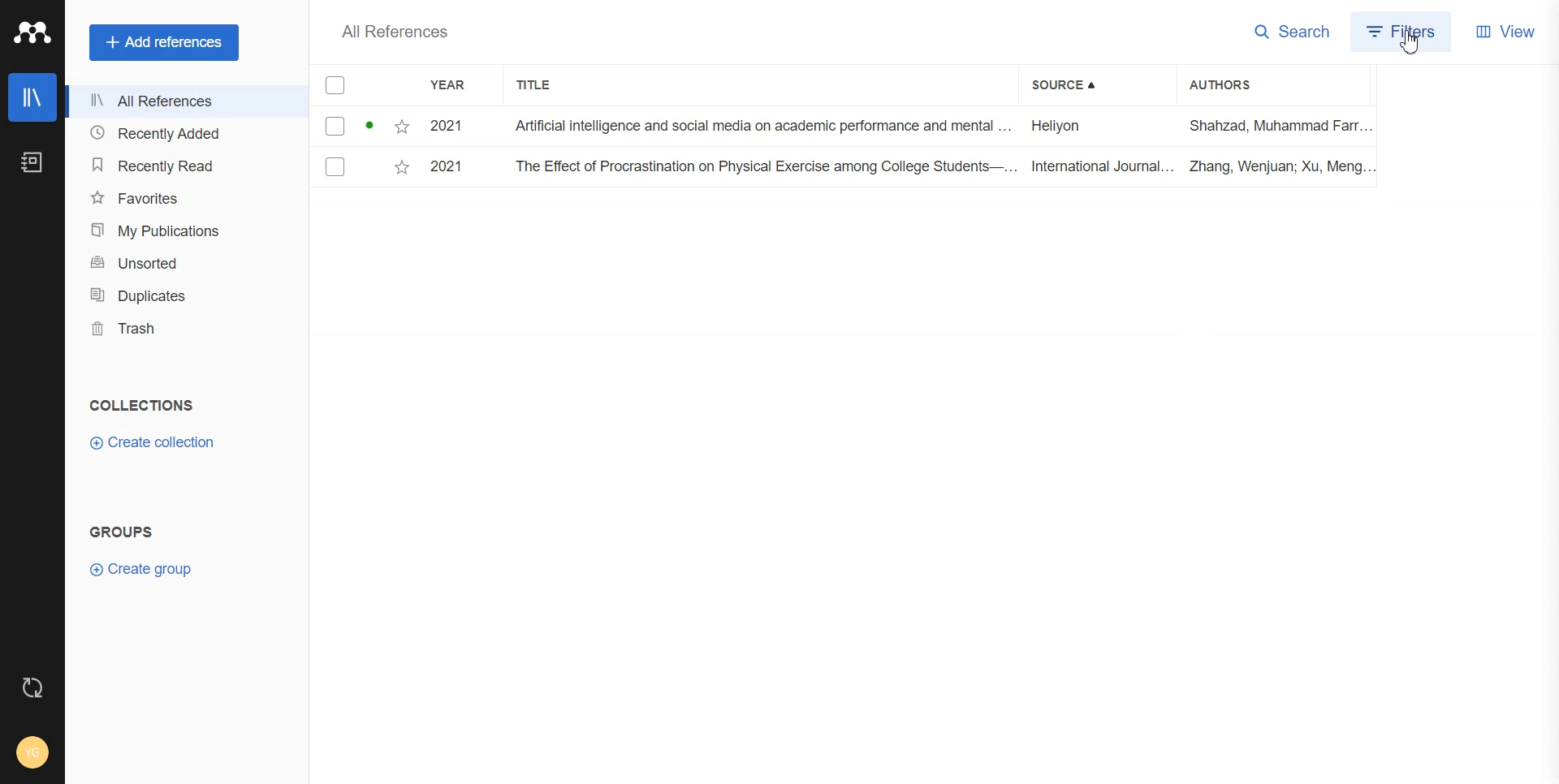  What do you see at coordinates (458, 84) in the screenshot?
I see `YEAR` at bounding box center [458, 84].